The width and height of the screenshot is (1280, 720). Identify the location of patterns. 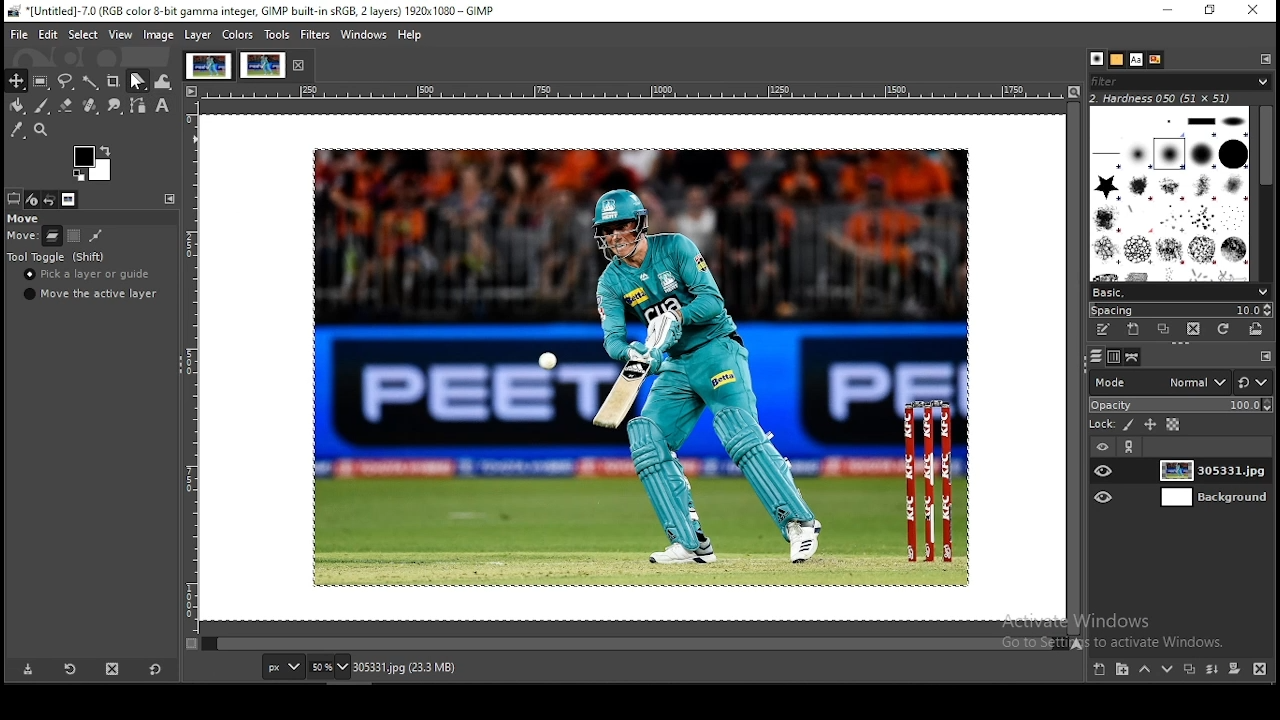
(1095, 58).